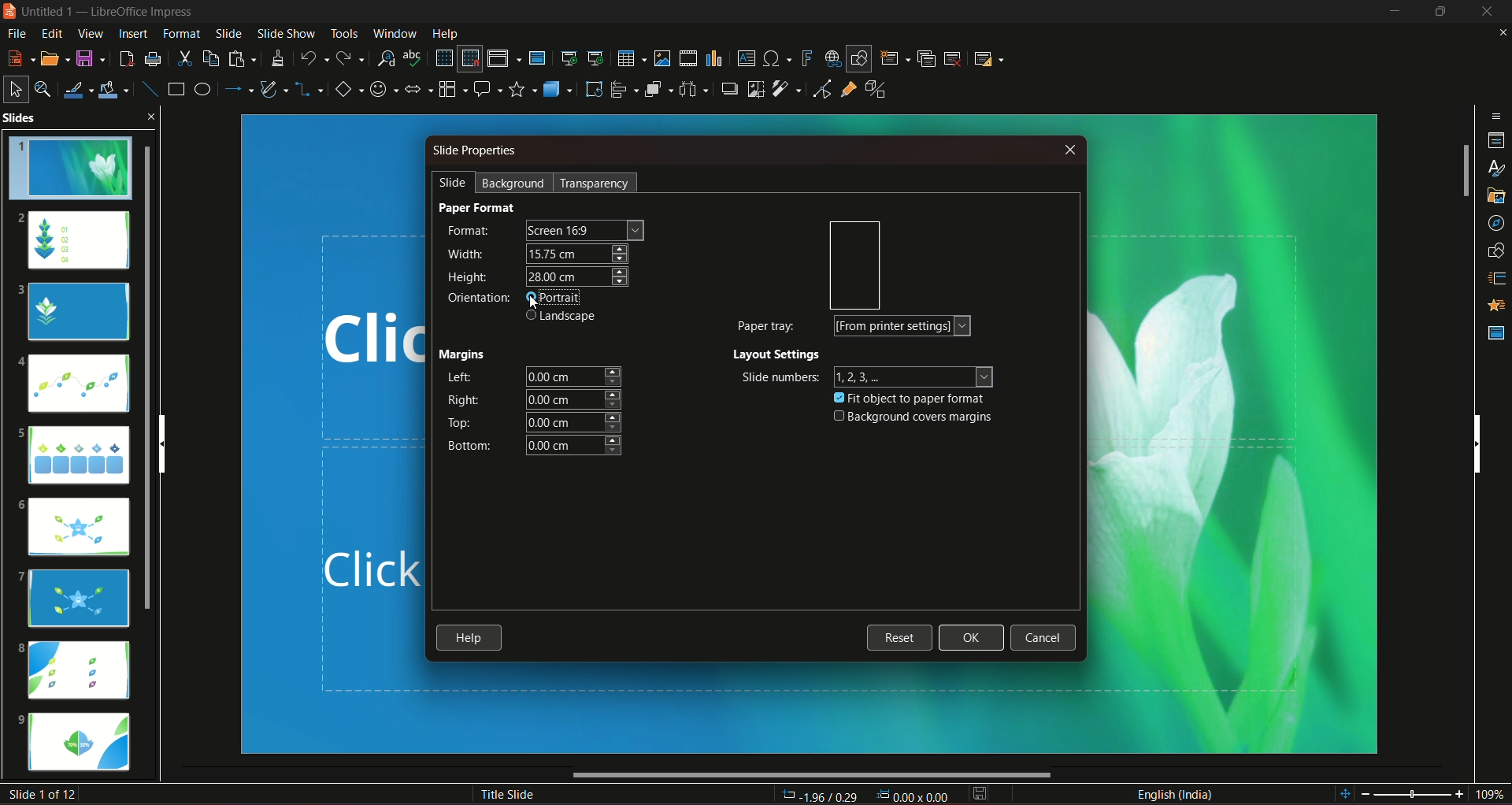  I want to click on print, so click(153, 57).